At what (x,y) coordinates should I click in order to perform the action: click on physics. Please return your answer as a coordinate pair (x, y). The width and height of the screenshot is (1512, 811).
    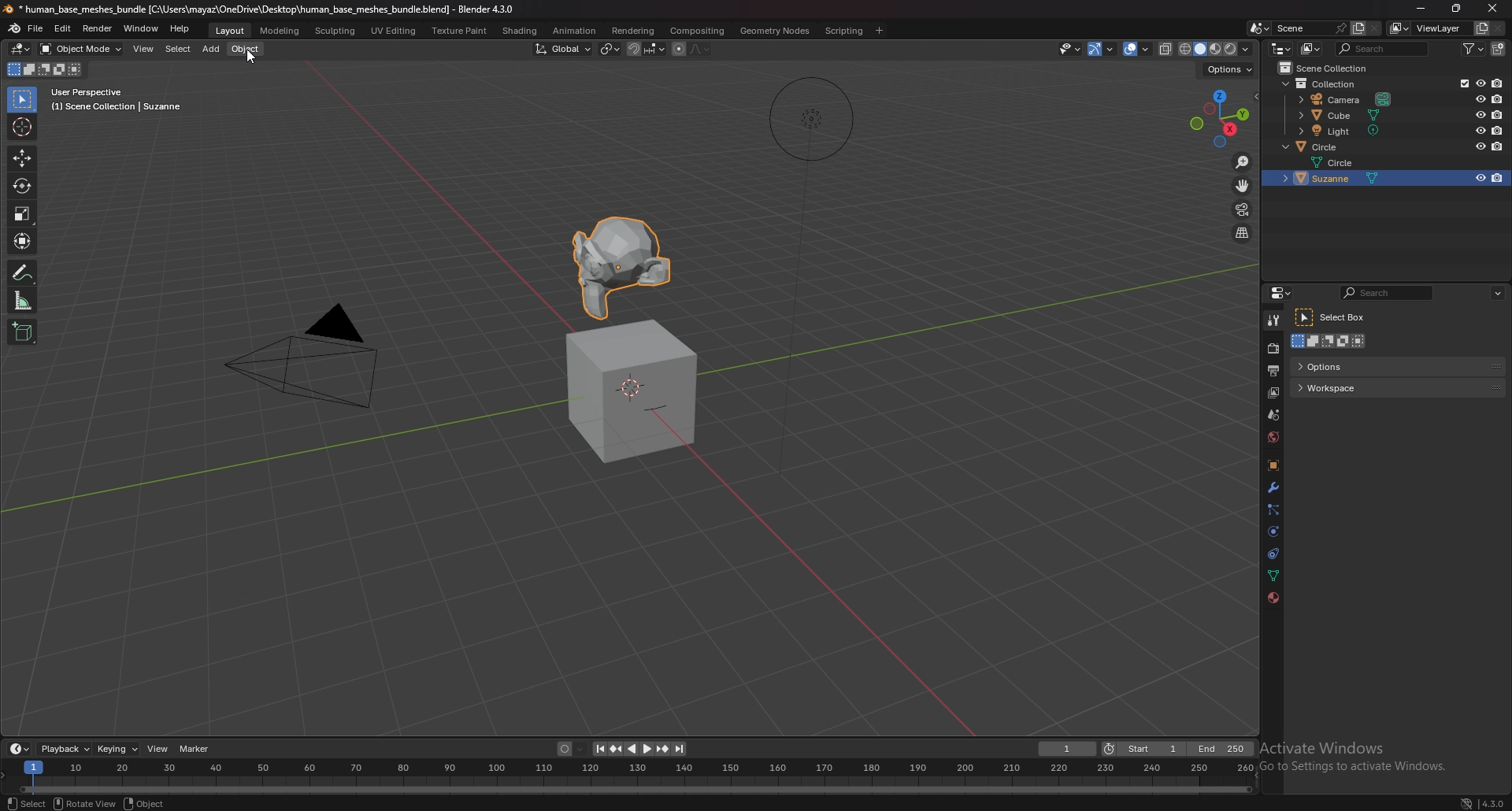
    Looking at the image, I should click on (1275, 531).